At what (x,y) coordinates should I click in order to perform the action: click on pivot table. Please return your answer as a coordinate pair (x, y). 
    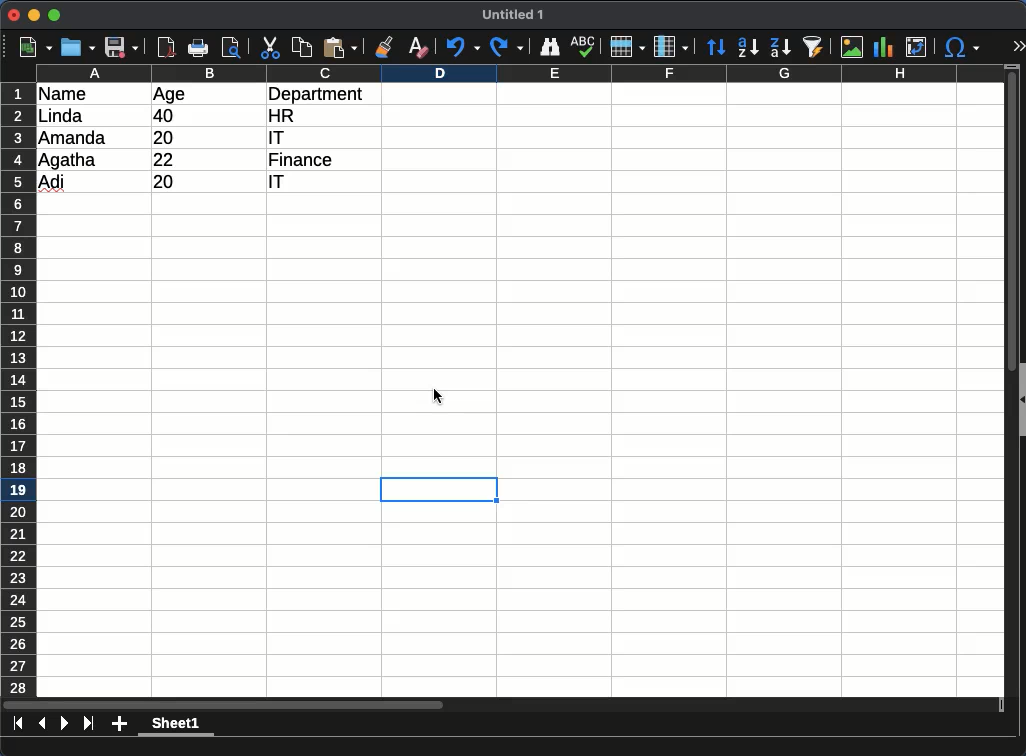
    Looking at the image, I should click on (916, 48).